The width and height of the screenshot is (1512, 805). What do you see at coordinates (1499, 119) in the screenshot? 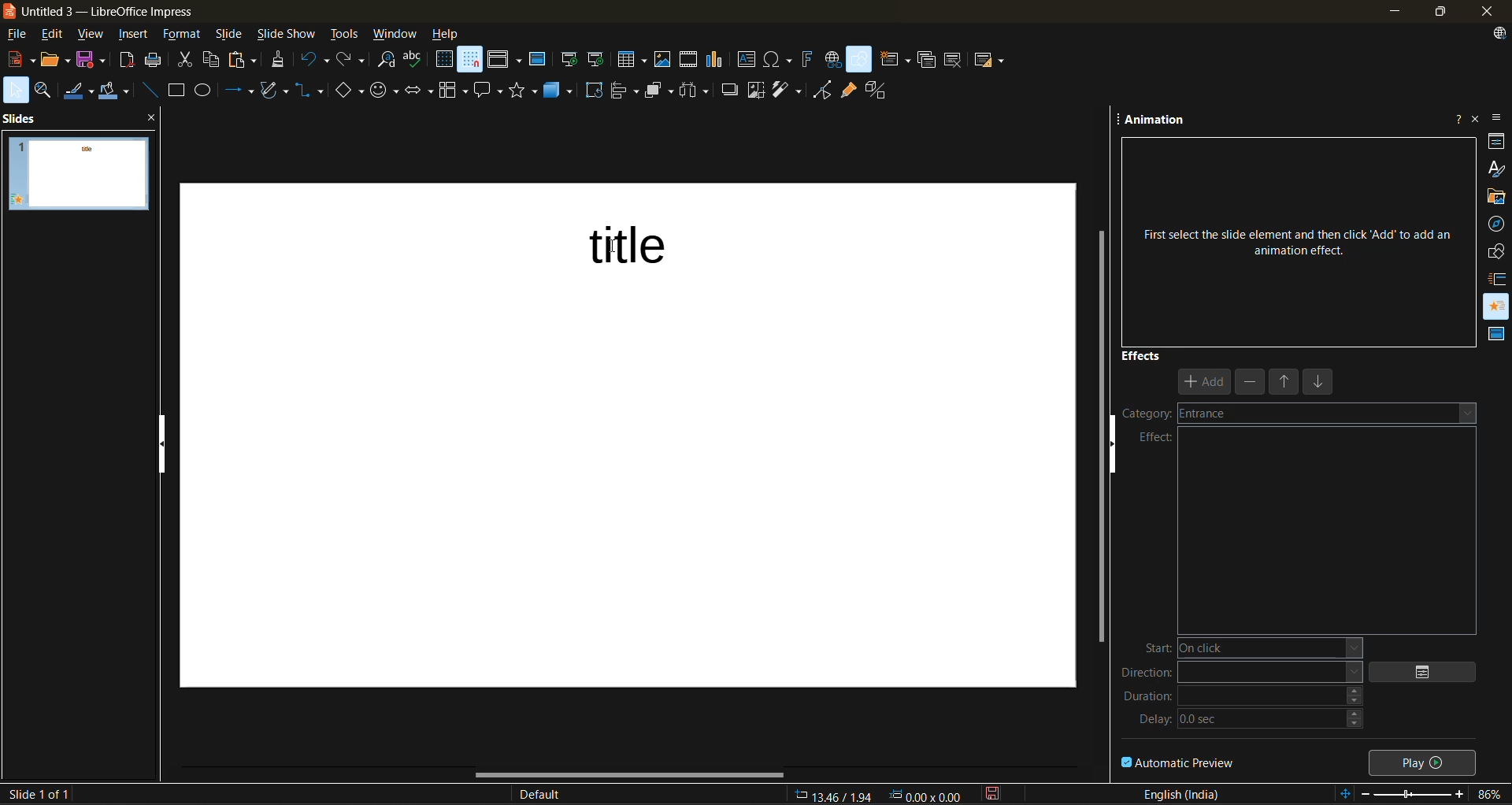
I see `sidebar settings` at bounding box center [1499, 119].